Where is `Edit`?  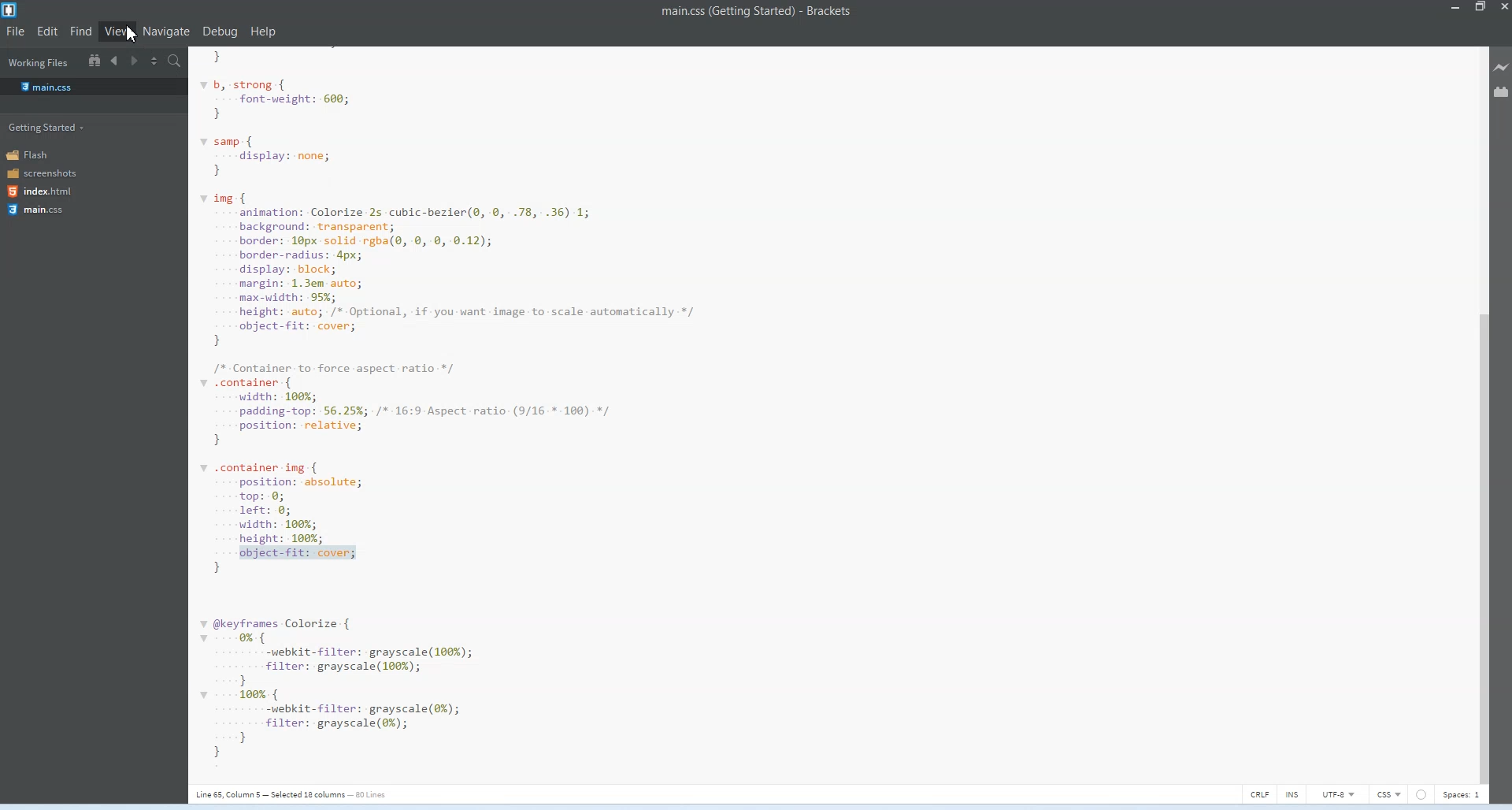 Edit is located at coordinates (47, 30).